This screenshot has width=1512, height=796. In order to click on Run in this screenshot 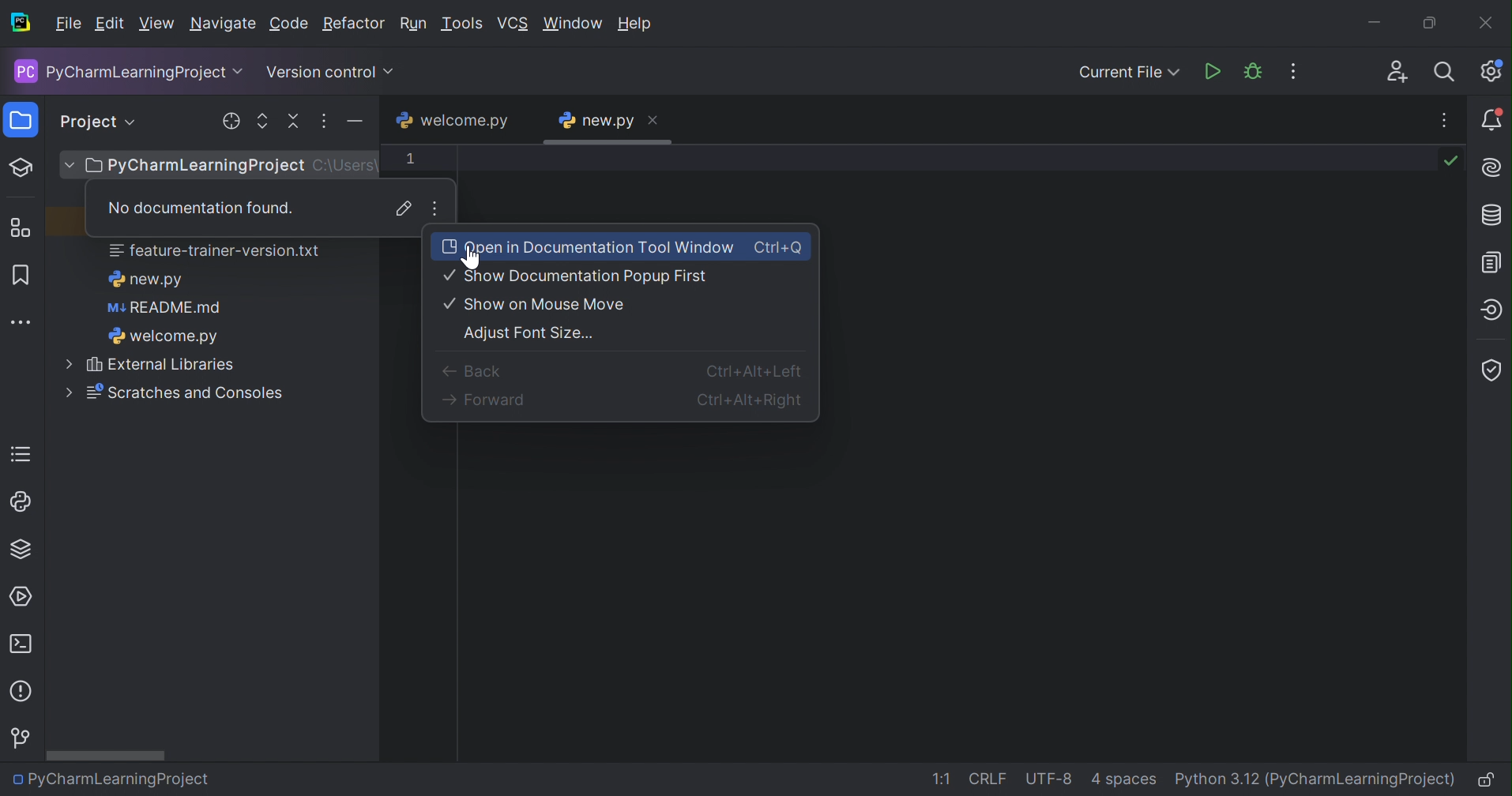, I will do `click(415, 24)`.